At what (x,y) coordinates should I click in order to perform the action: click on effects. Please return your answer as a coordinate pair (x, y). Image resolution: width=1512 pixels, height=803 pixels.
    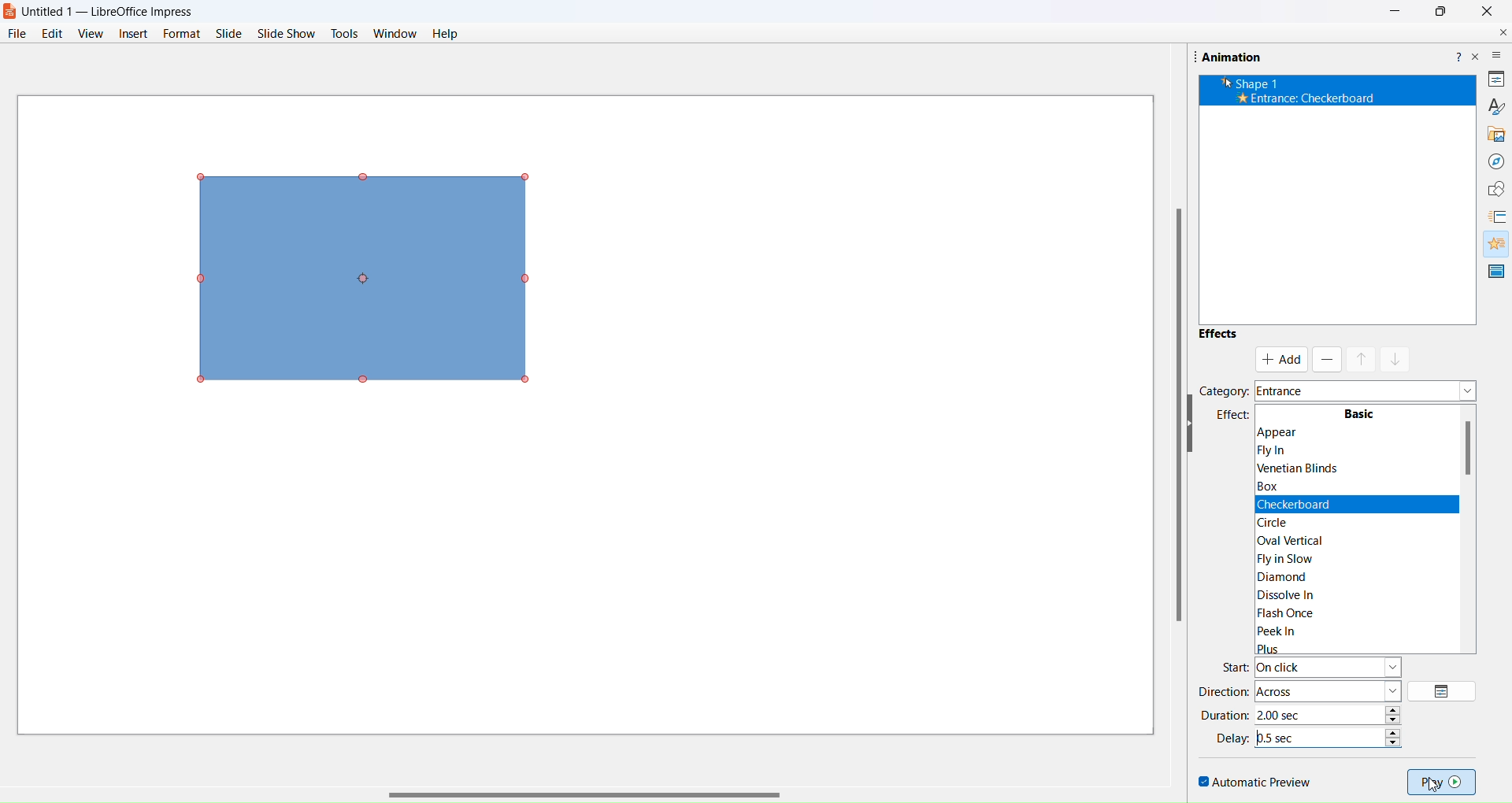
    Looking at the image, I should click on (1224, 416).